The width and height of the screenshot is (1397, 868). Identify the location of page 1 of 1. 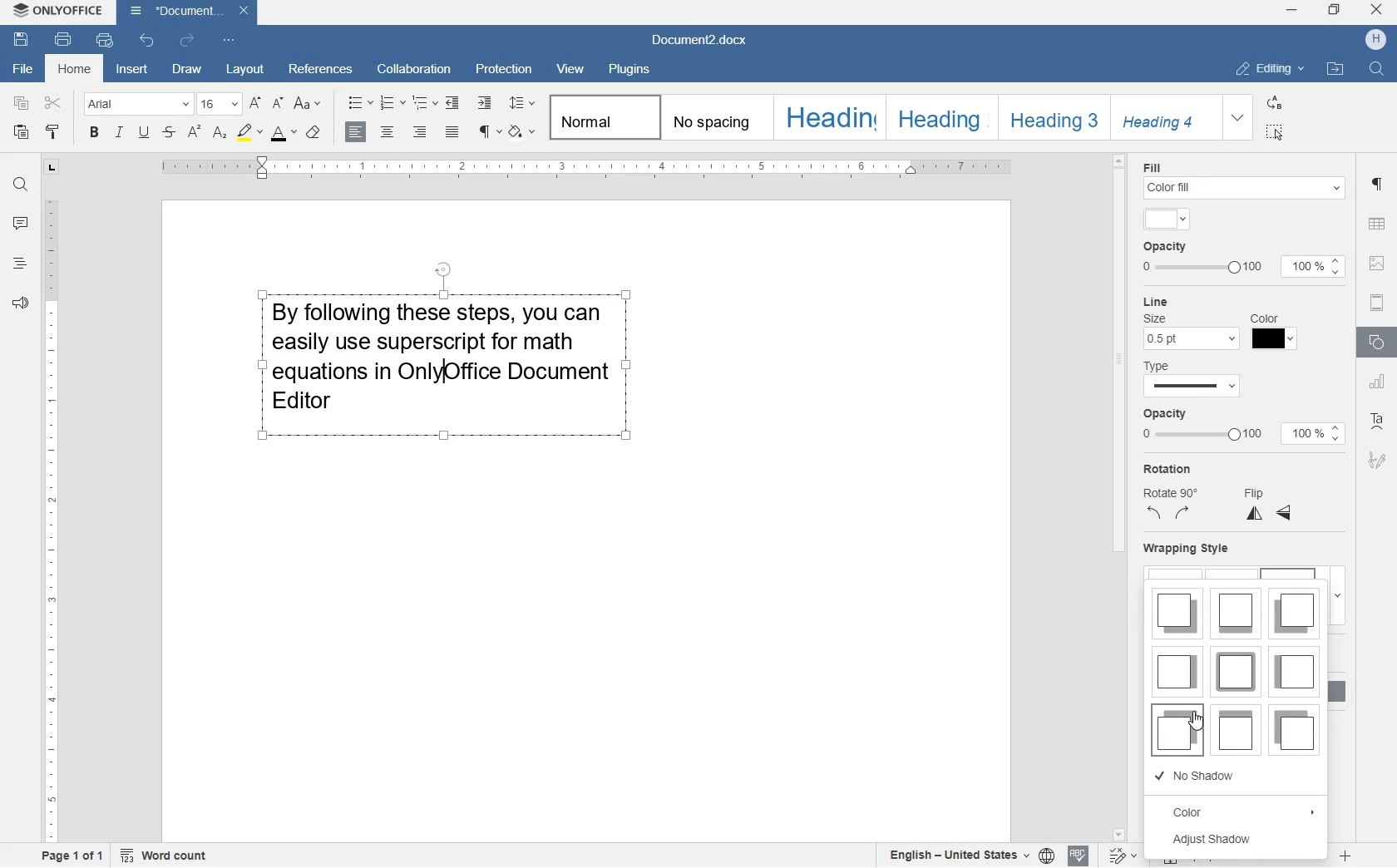
(77, 857).